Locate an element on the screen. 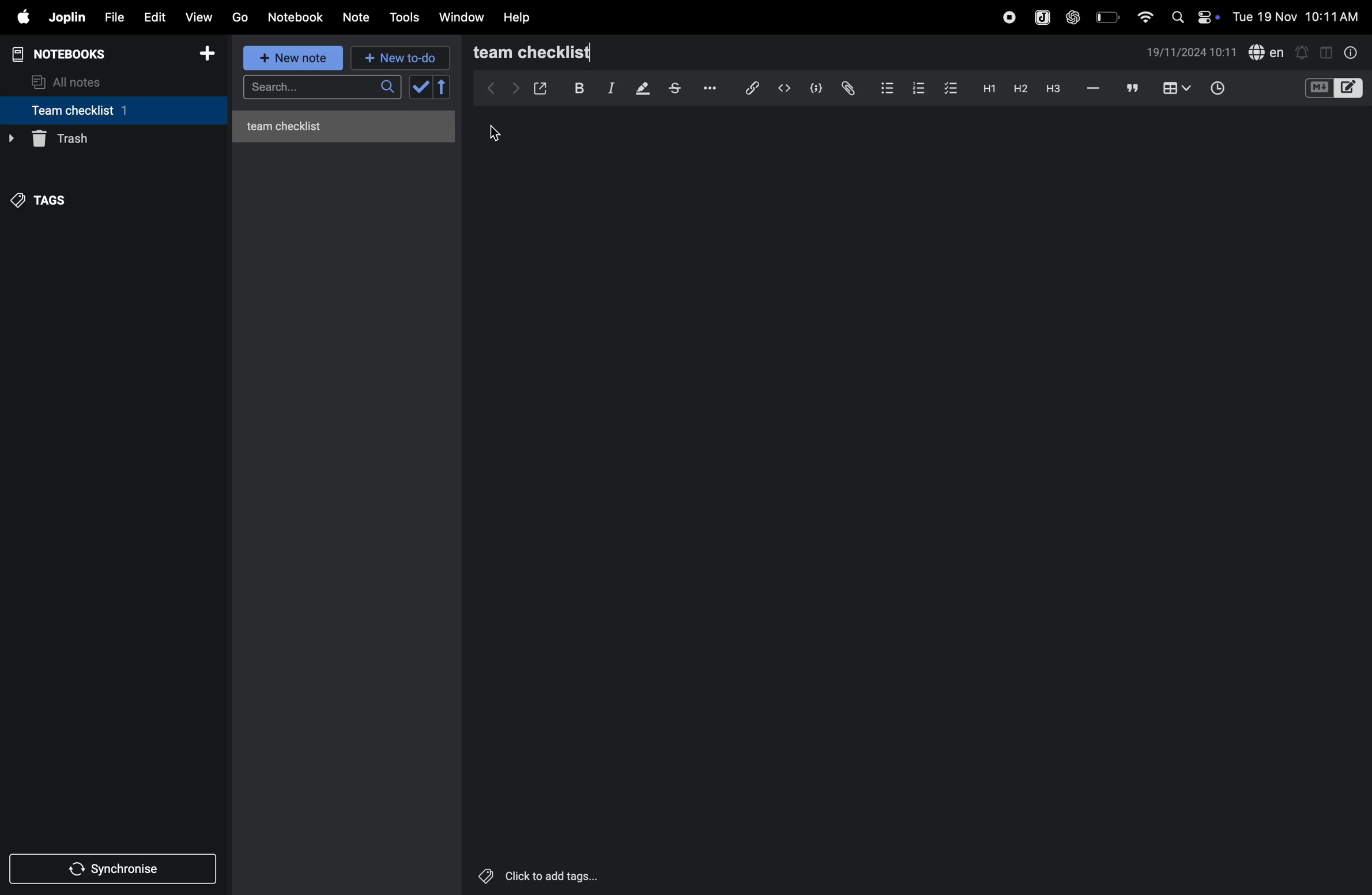 The width and height of the screenshot is (1372, 895). strike through is located at coordinates (674, 88).